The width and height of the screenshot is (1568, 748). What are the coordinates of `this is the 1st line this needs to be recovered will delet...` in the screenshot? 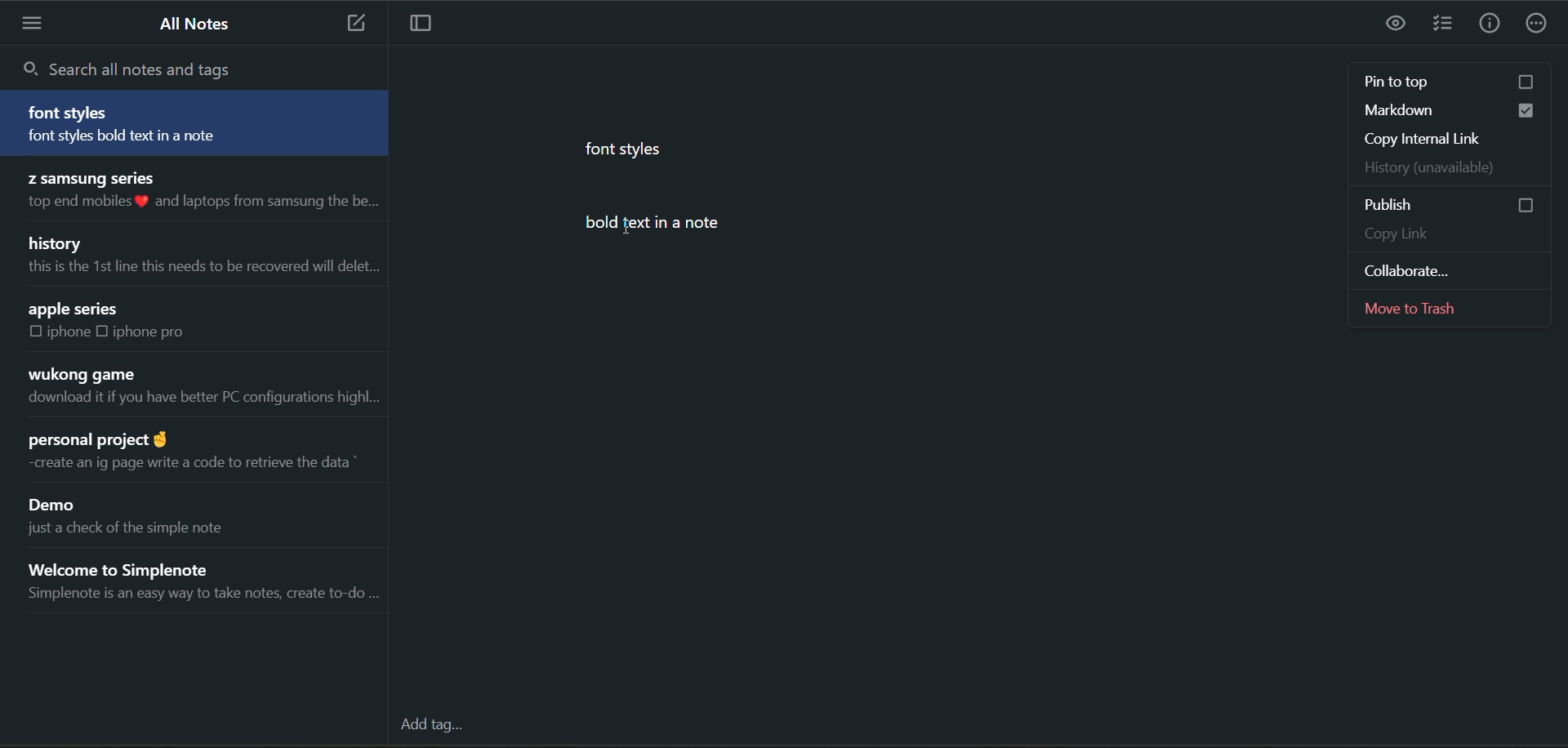 It's located at (200, 267).